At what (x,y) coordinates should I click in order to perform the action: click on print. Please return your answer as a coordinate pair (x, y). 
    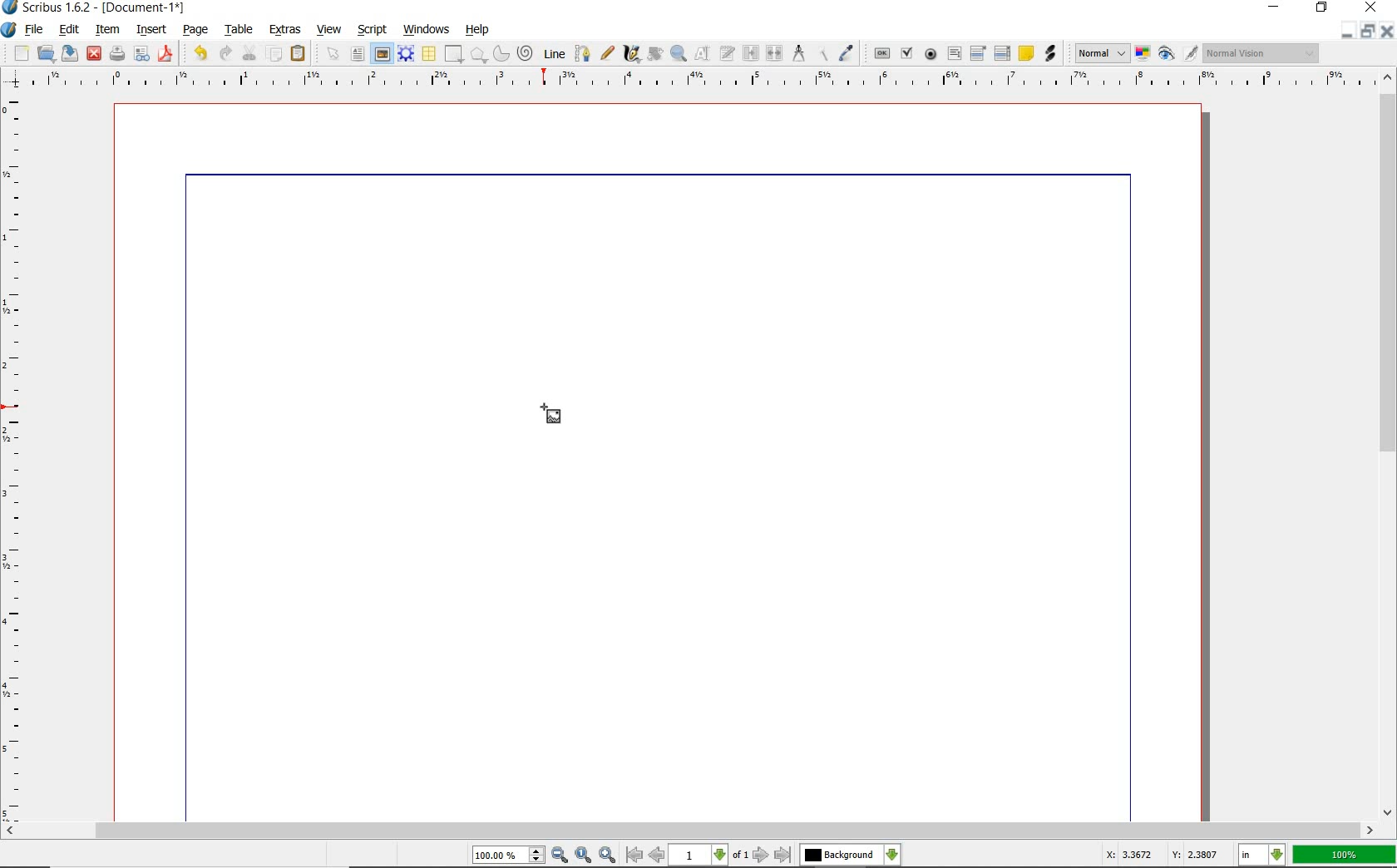
    Looking at the image, I should click on (116, 52).